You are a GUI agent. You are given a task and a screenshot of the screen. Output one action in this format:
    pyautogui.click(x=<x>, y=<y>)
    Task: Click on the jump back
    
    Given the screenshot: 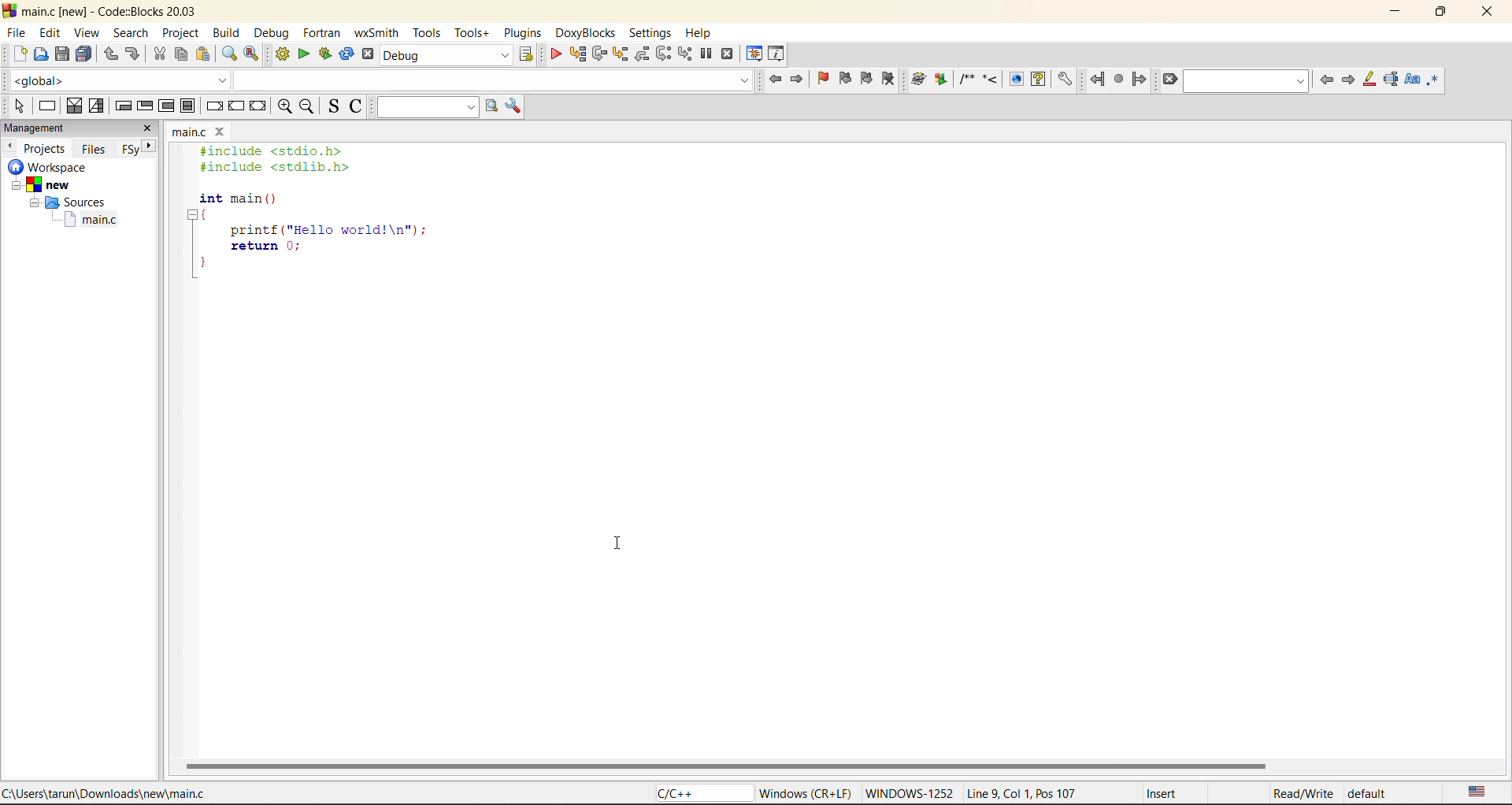 What is the action you would take?
    pyautogui.click(x=774, y=81)
    